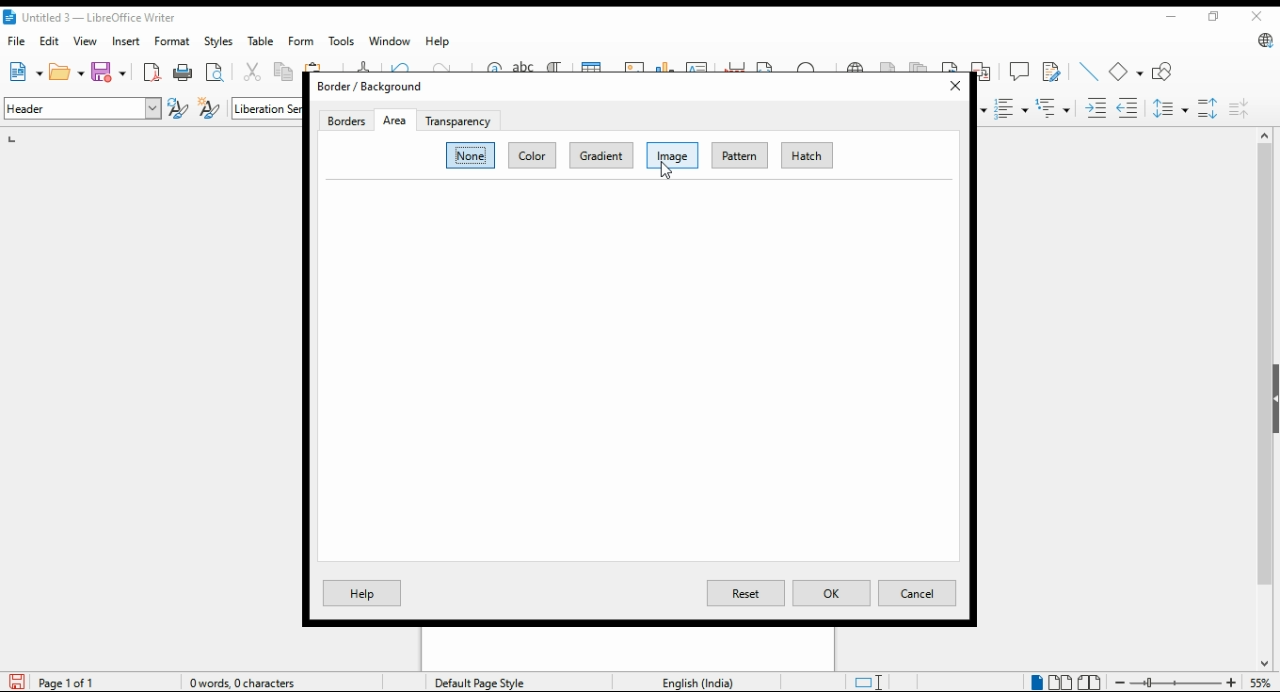  Describe the element at coordinates (530, 156) in the screenshot. I see `color` at that location.